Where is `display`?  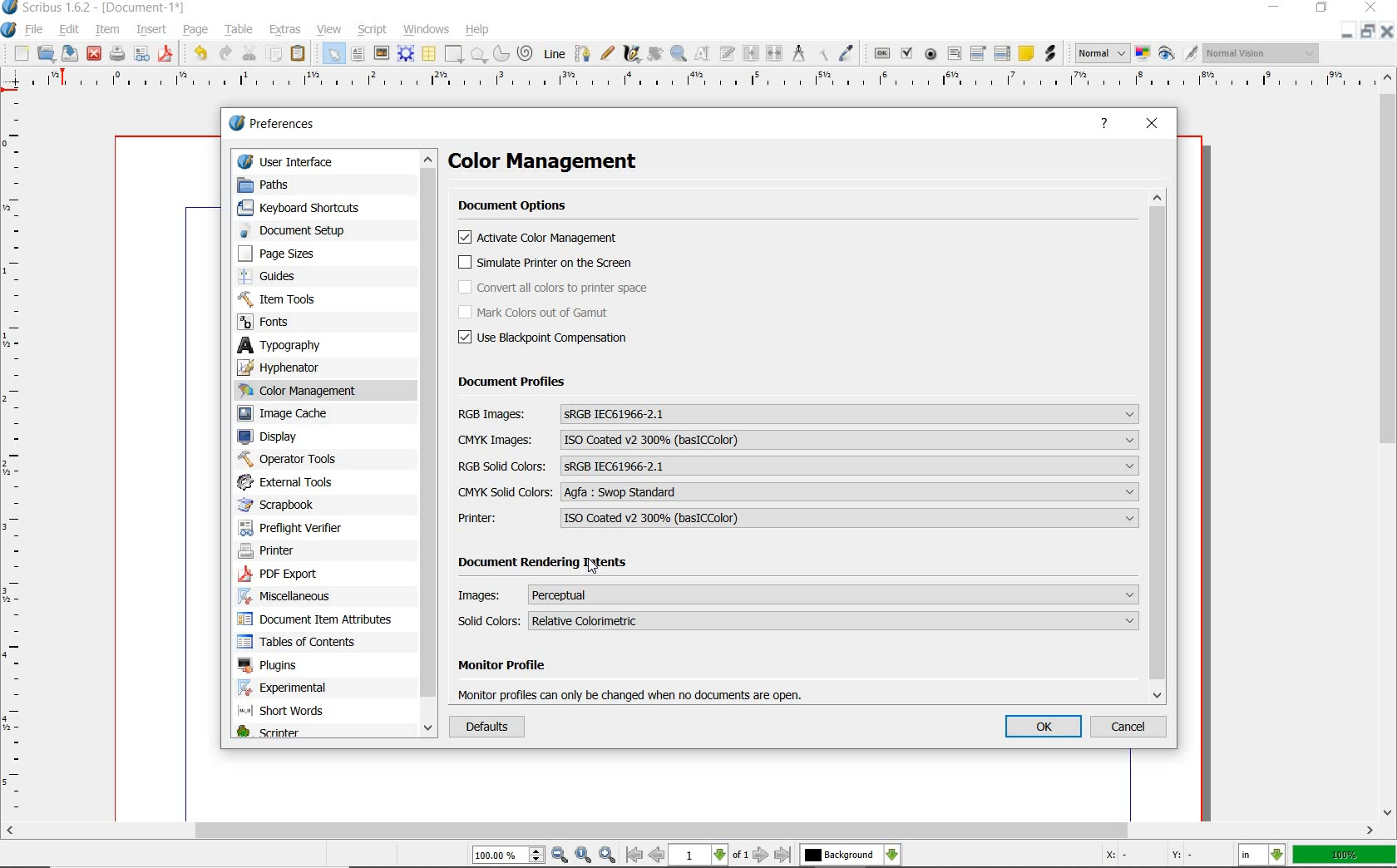 display is located at coordinates (298, 437).